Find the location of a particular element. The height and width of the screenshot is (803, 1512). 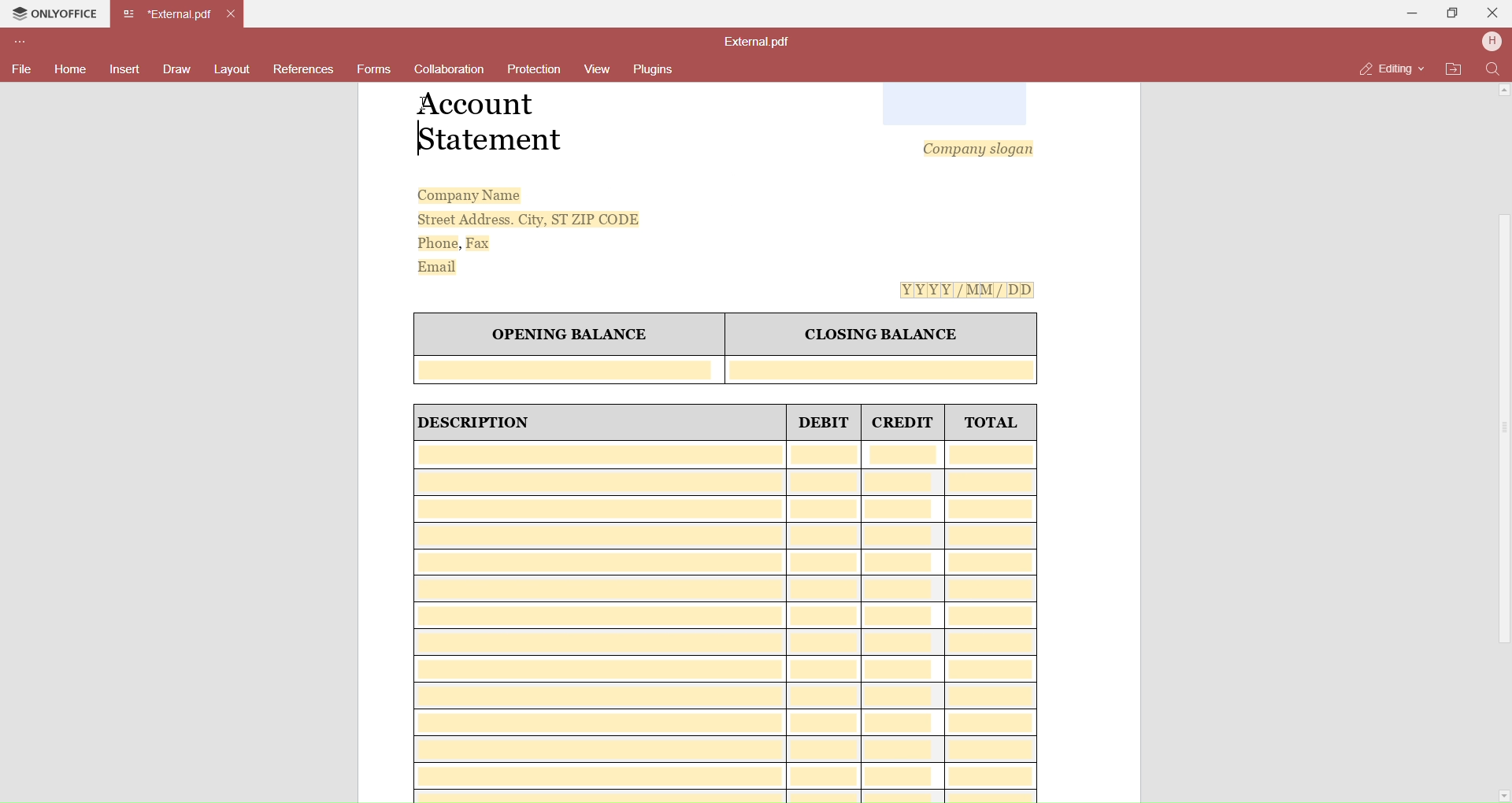

View is located at coordinates (595, 70).